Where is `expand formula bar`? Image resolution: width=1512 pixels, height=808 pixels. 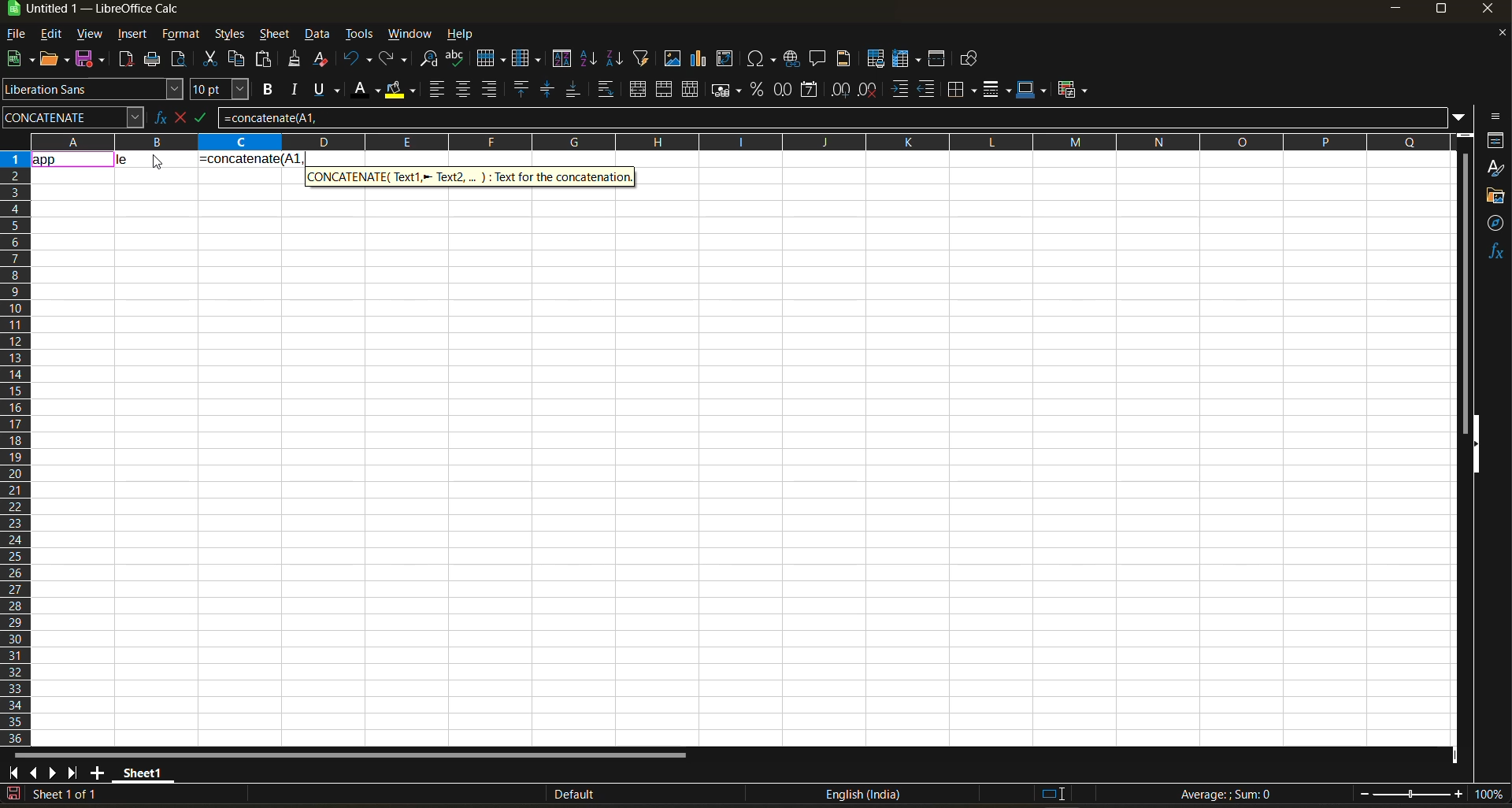
expand formula bar is located at coordinates (1459, 116).